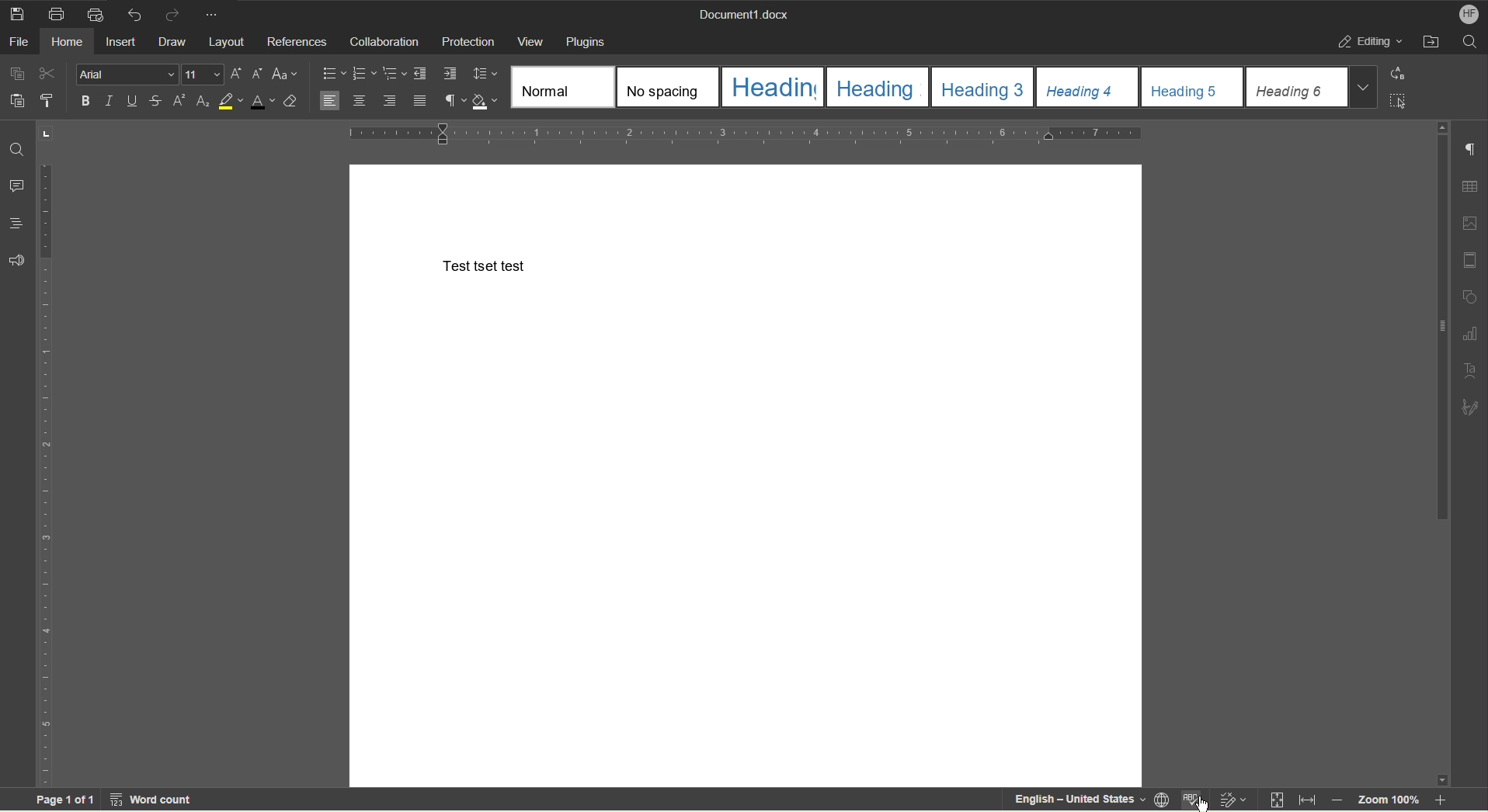 This screenshot has width=1488, height=812. Describe the element at coordinates (158, 102) in the screenshot. I see `Strikethrough` at that location.